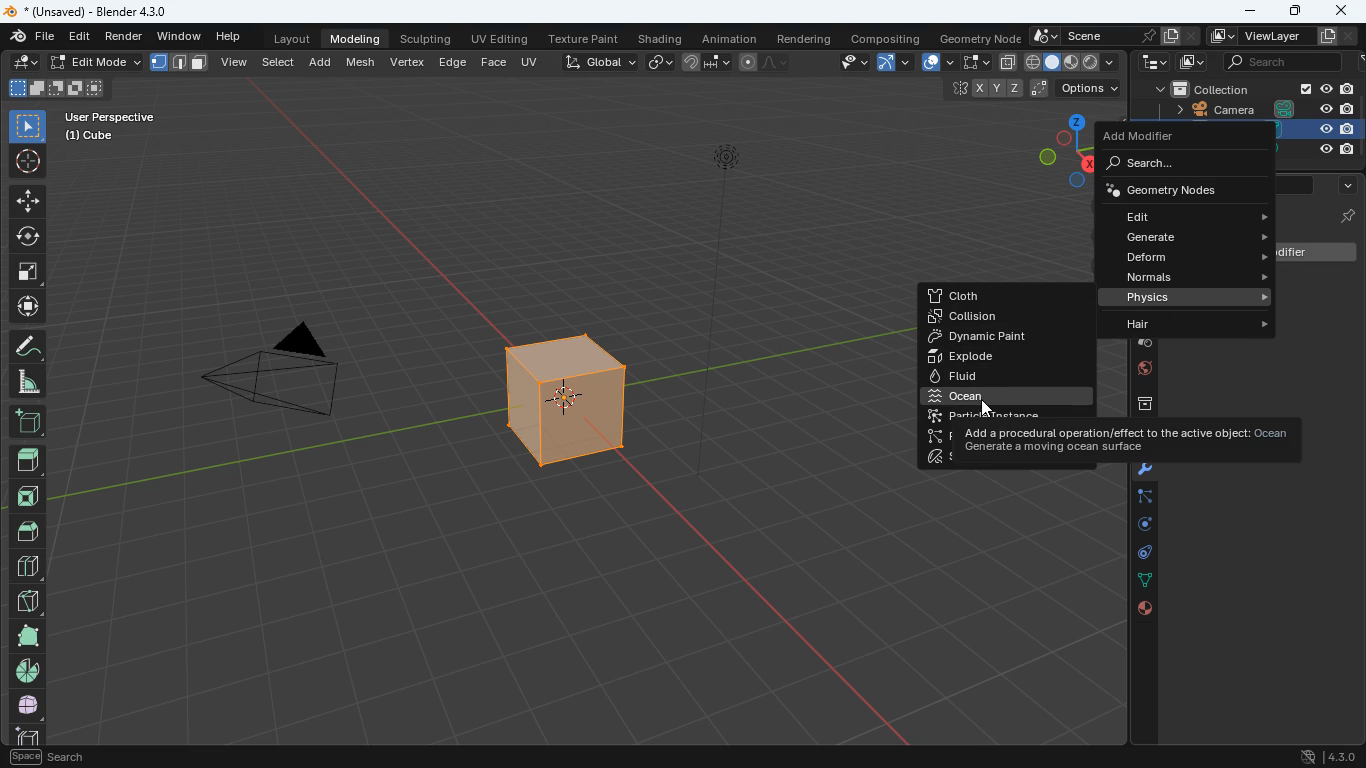 This screenshot has width=1366, height=768. I want to click on pie, so click(30, 671).